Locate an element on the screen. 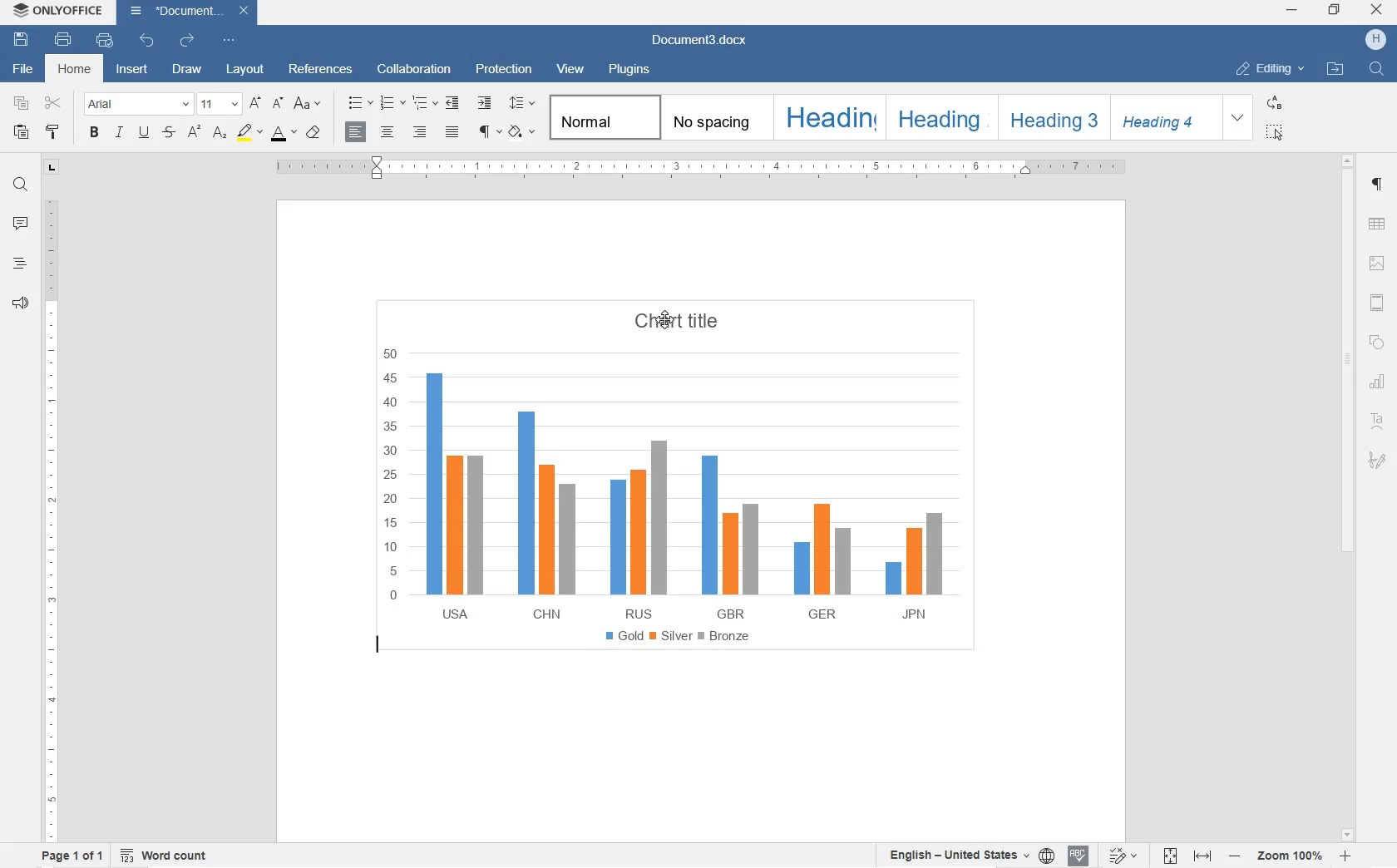  CLOSE is located at coordinates (1379, 11).